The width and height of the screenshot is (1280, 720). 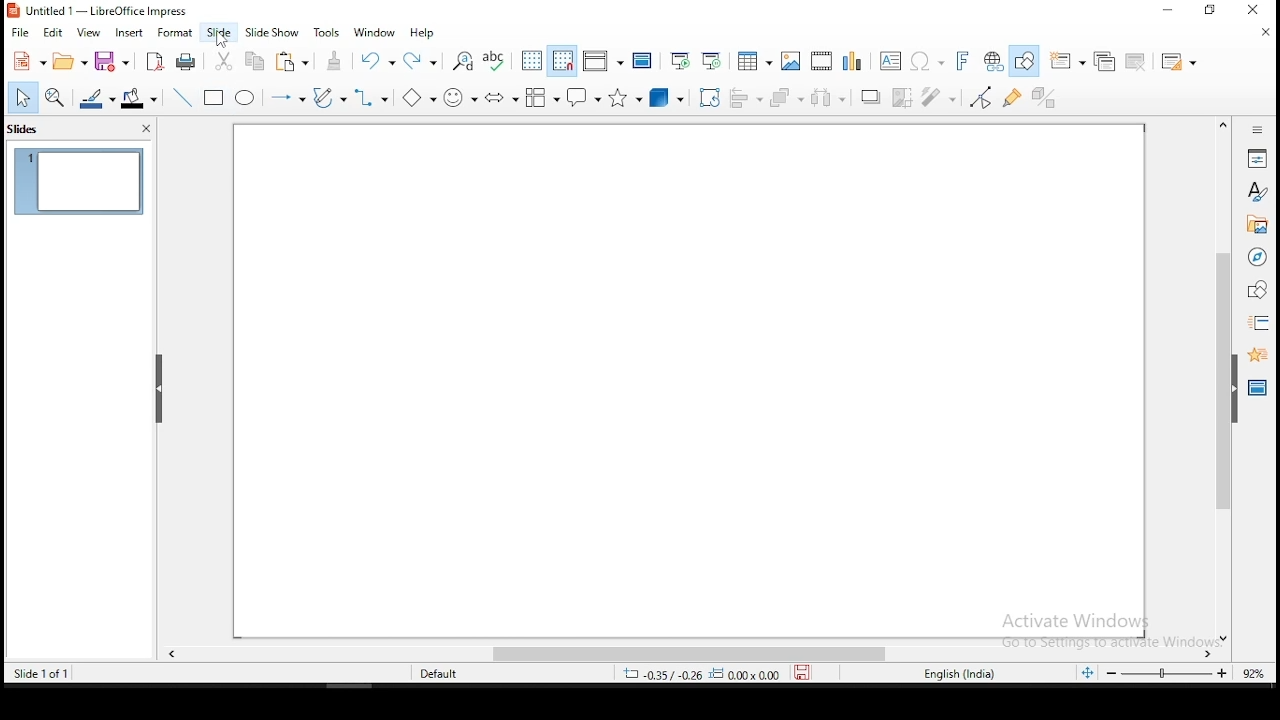 I want to click on block arrows, so click(x=502, y=97).